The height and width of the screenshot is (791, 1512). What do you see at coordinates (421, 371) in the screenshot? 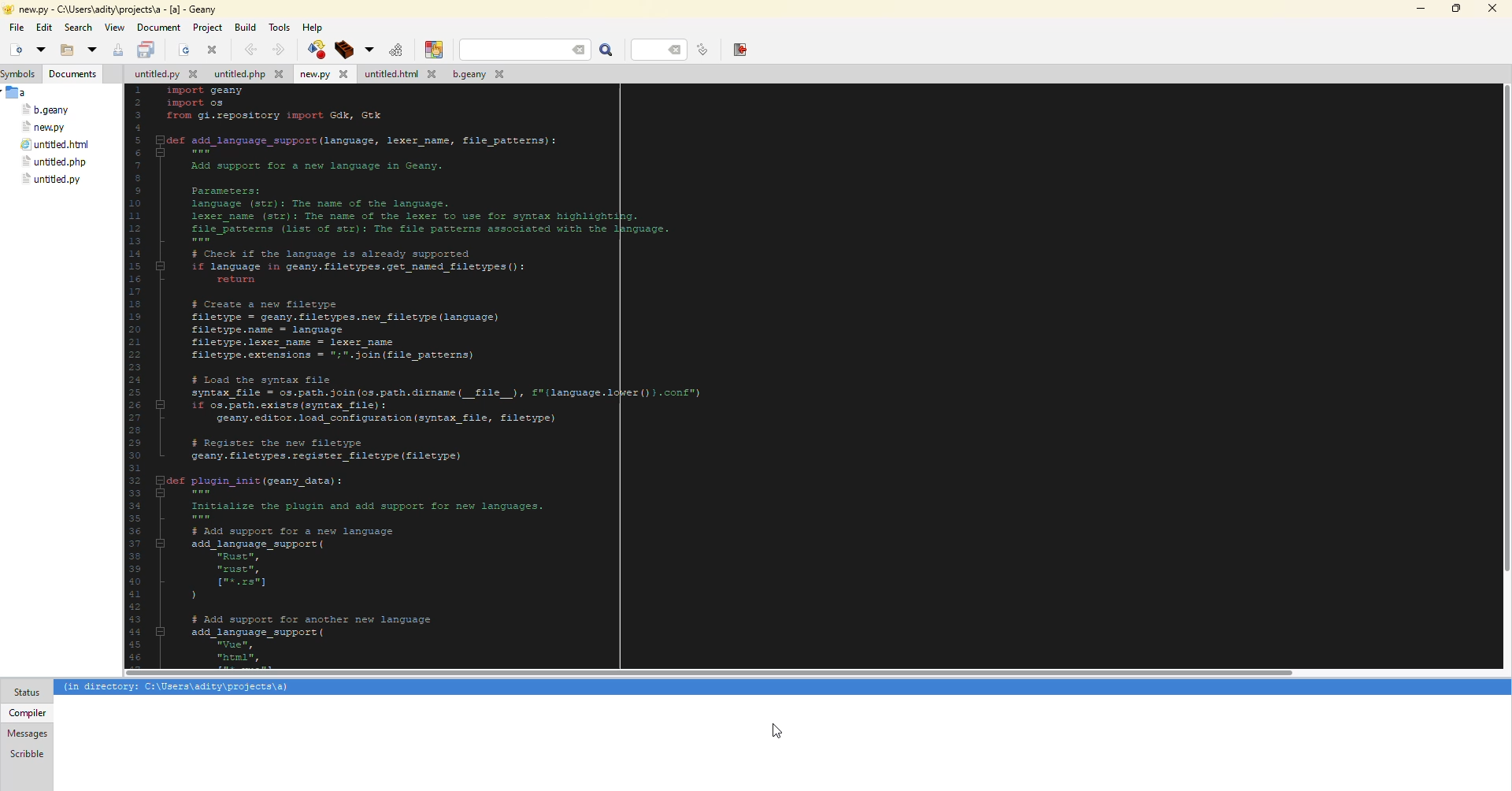
I see `code` at bounding box center [421, 371].